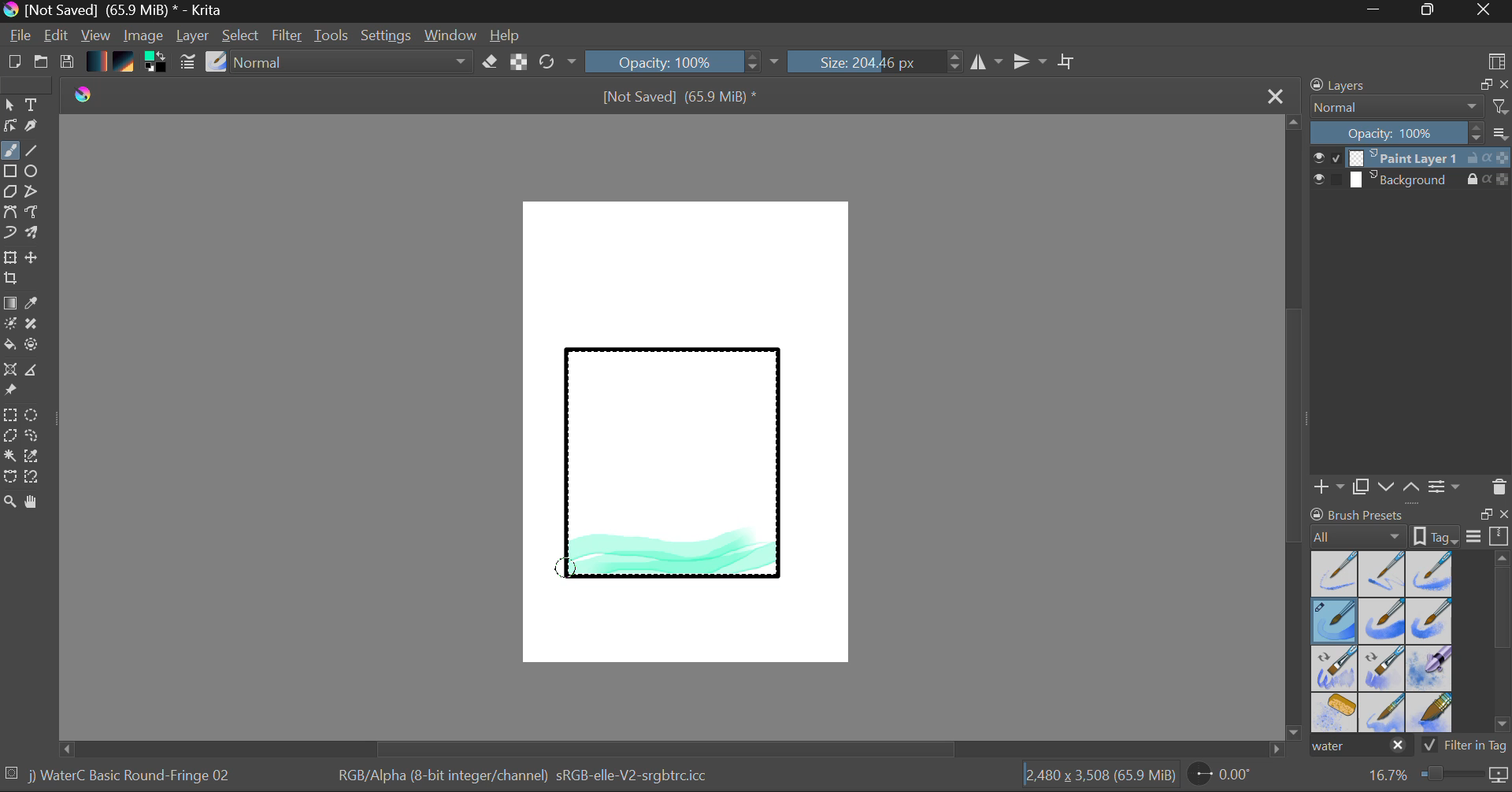  Describe the element at coordinates (35, 304) in the screenshot. I see `Eyedropper` at that location.